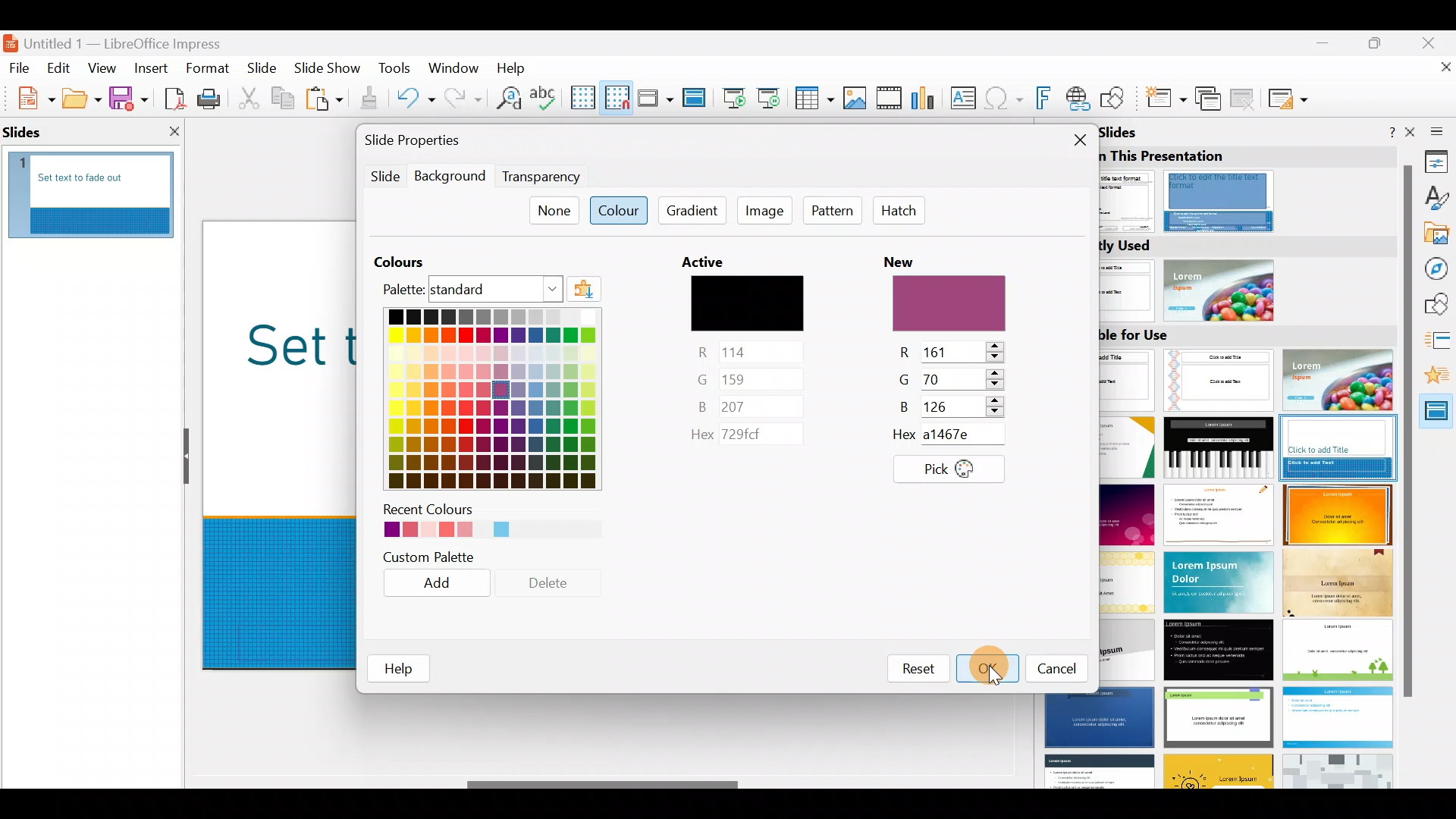 This screenshot has height=819, width=1456. What do you see at coordinates (553, 211) in the screenshot?
I see `None` at bounding box center [553, 211].